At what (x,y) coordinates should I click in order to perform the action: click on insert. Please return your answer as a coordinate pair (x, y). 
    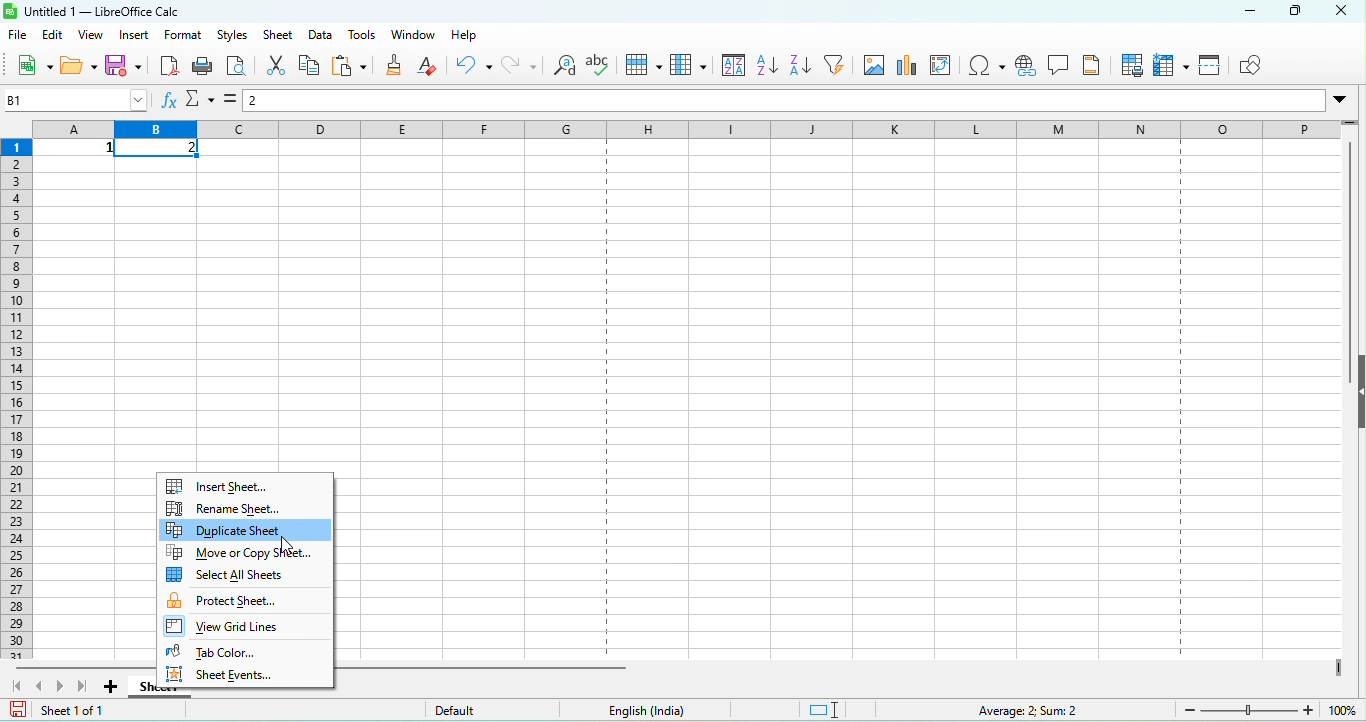
    Looking at the image, I should click on (135, 35).